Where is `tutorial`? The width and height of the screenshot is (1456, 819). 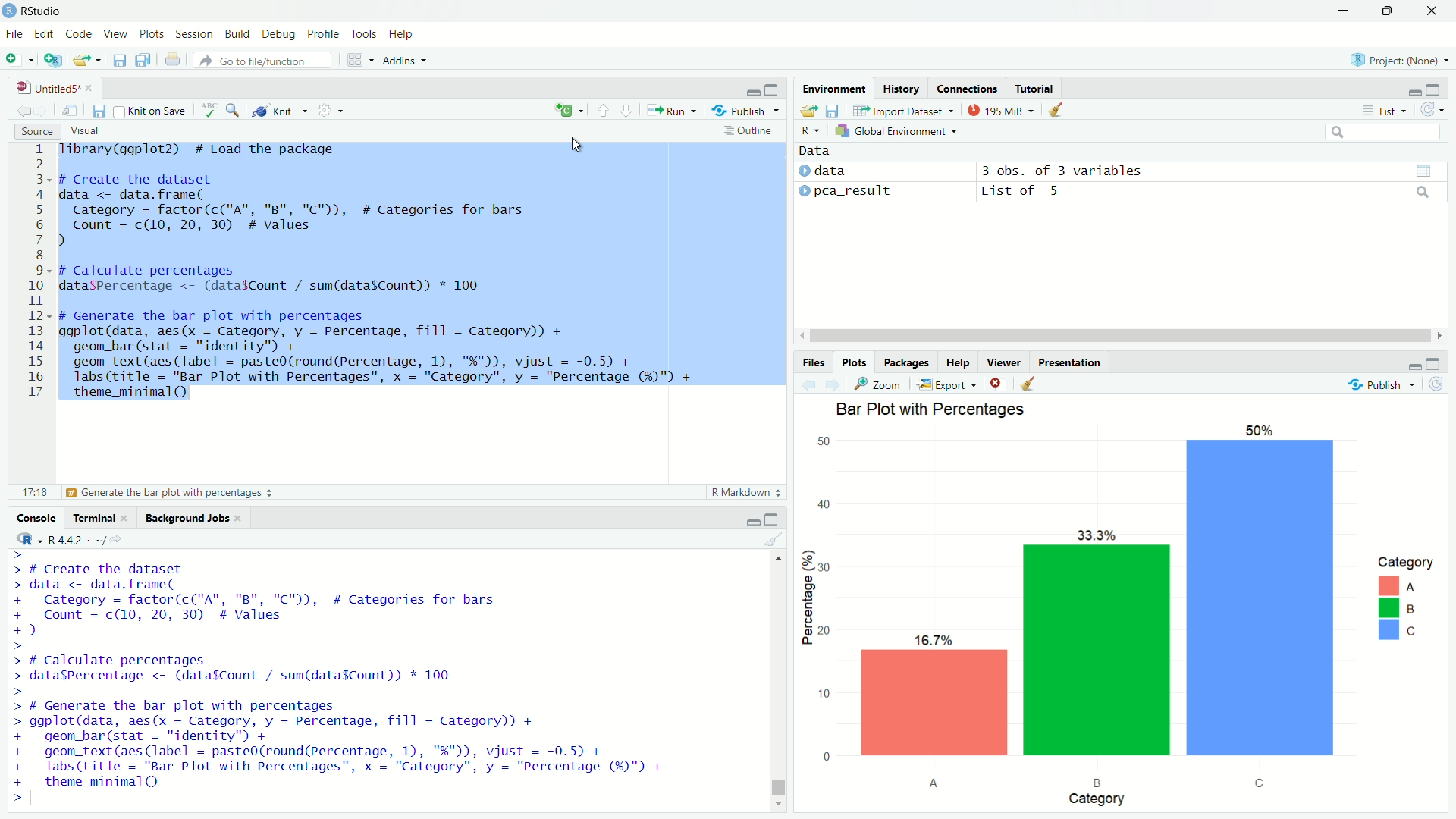
tutorial is located at coordinates (1036, 88).